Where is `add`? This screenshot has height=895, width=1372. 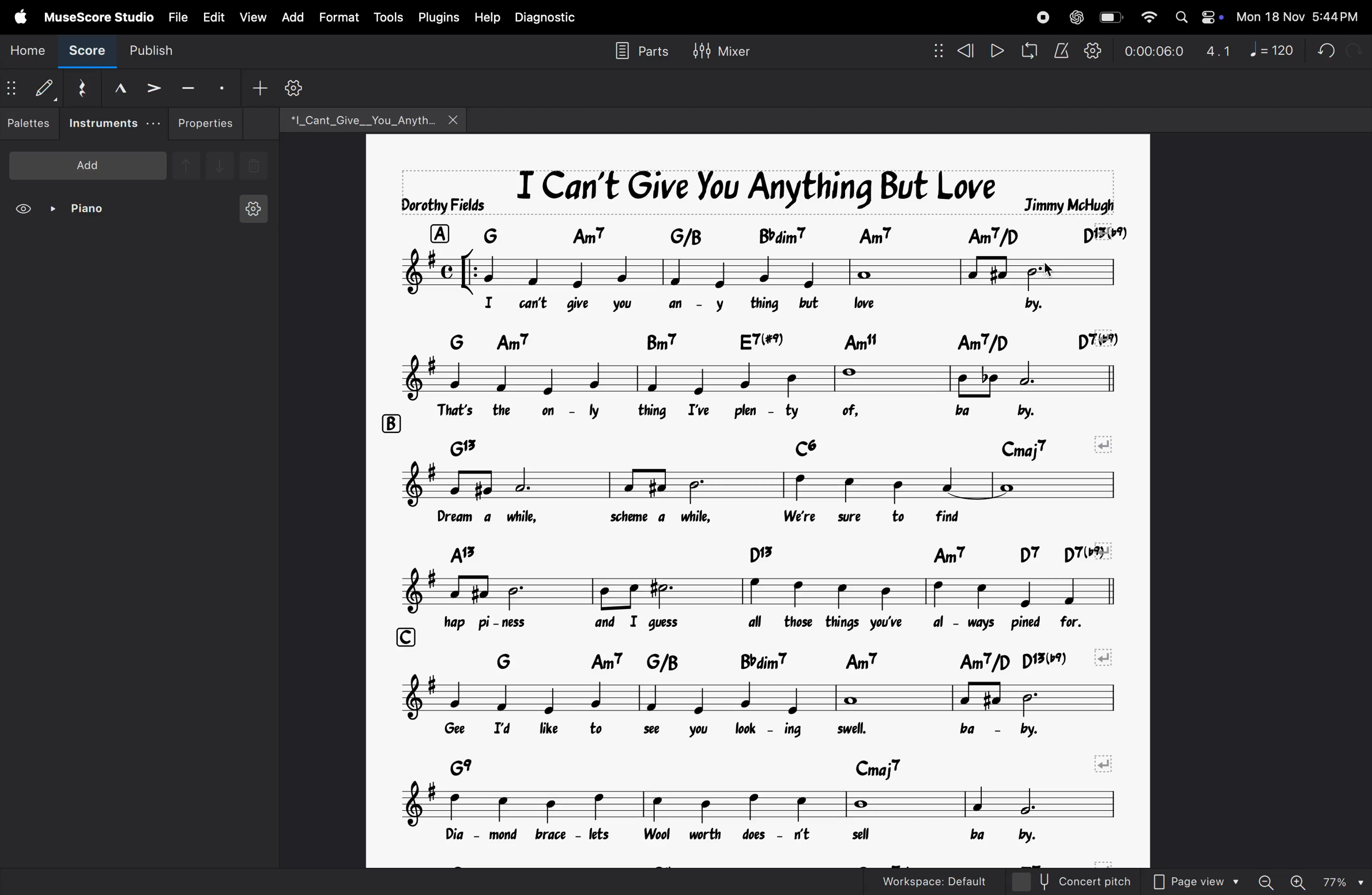
add is located at coordinates (295, 17).